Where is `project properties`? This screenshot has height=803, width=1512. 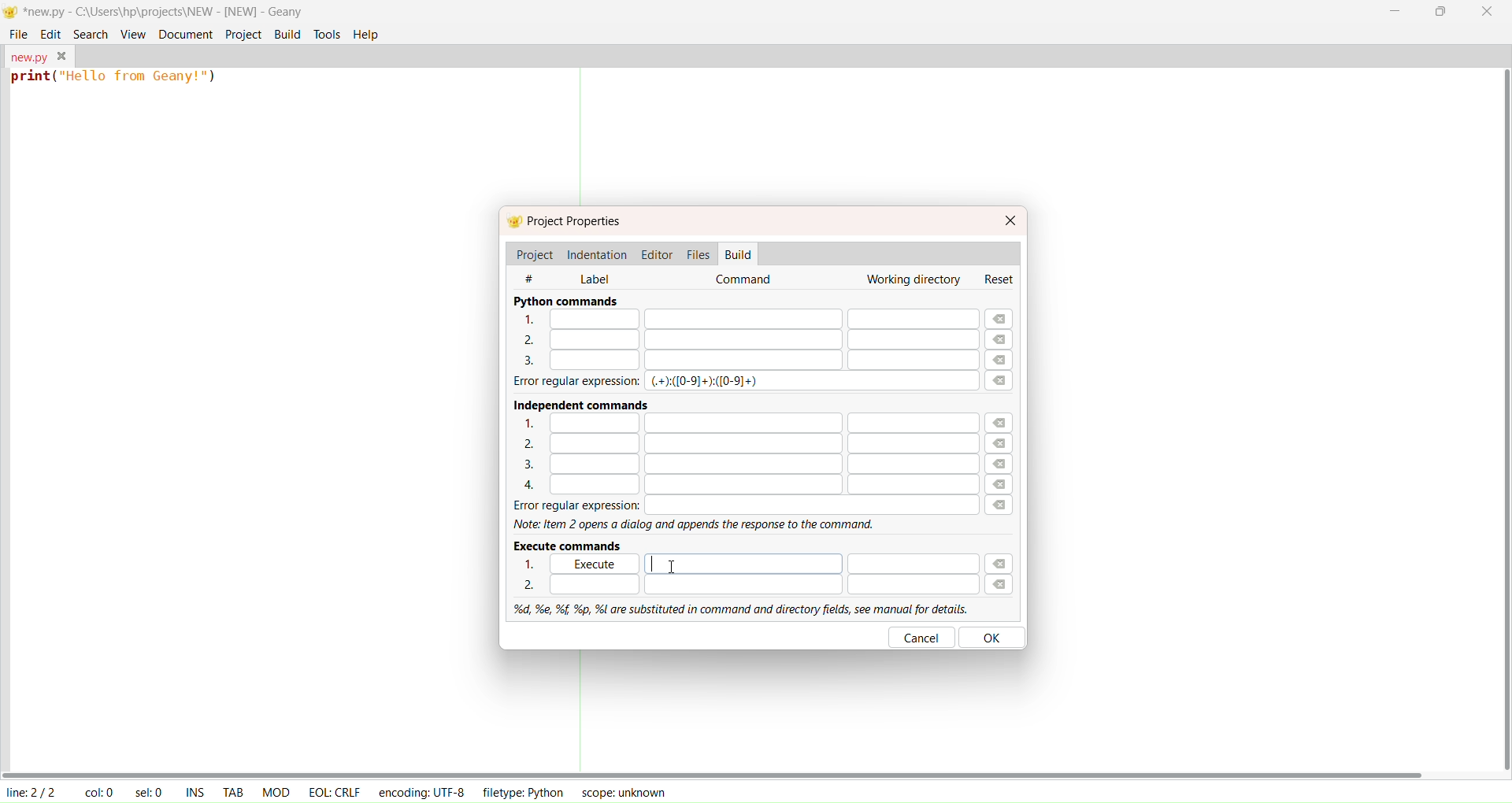 project properties is located at coordinates (576, 222).